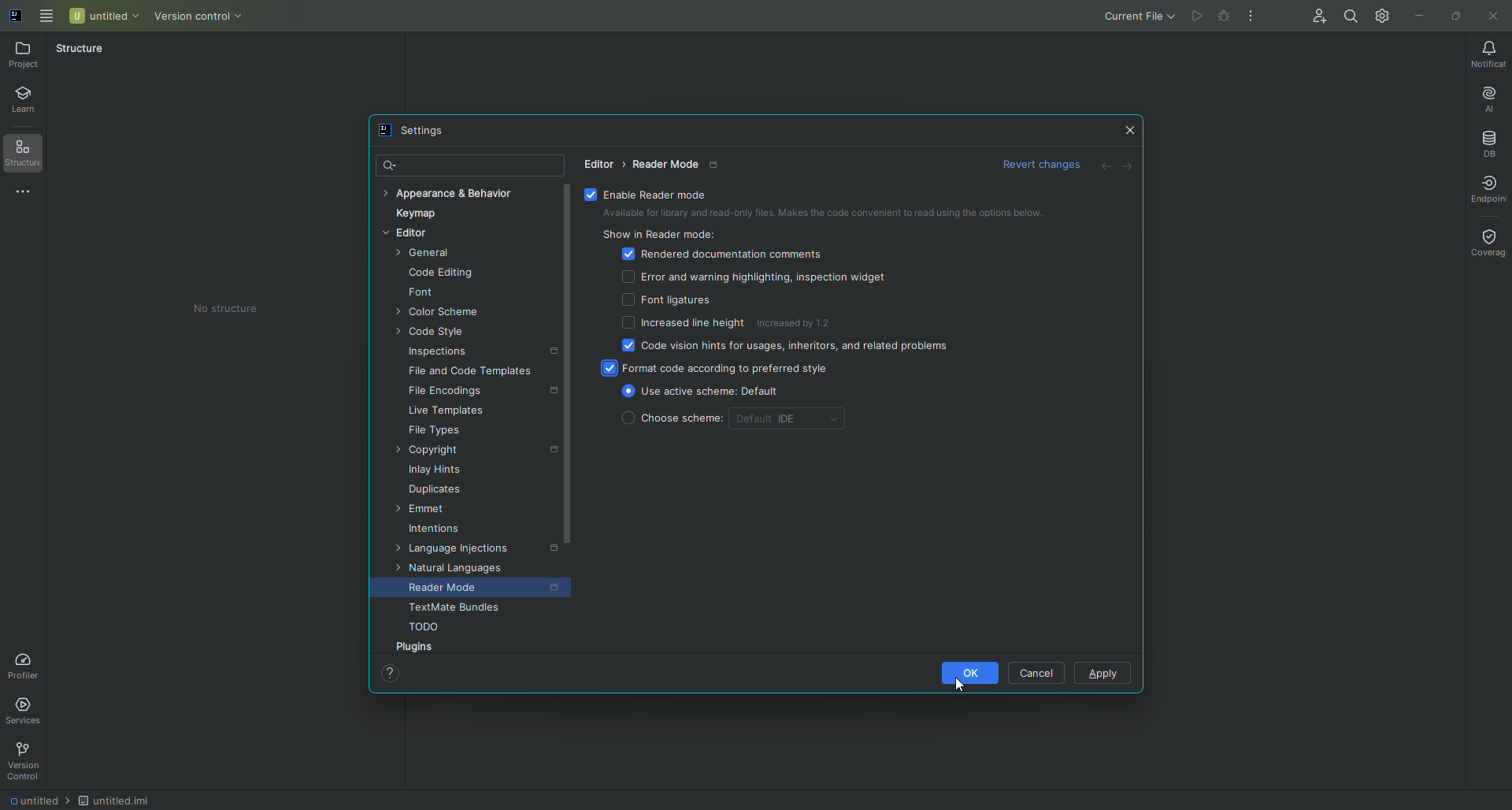  Describe the element at coordinates (418, 628) in the screenshot. I see `TODO` at that location.